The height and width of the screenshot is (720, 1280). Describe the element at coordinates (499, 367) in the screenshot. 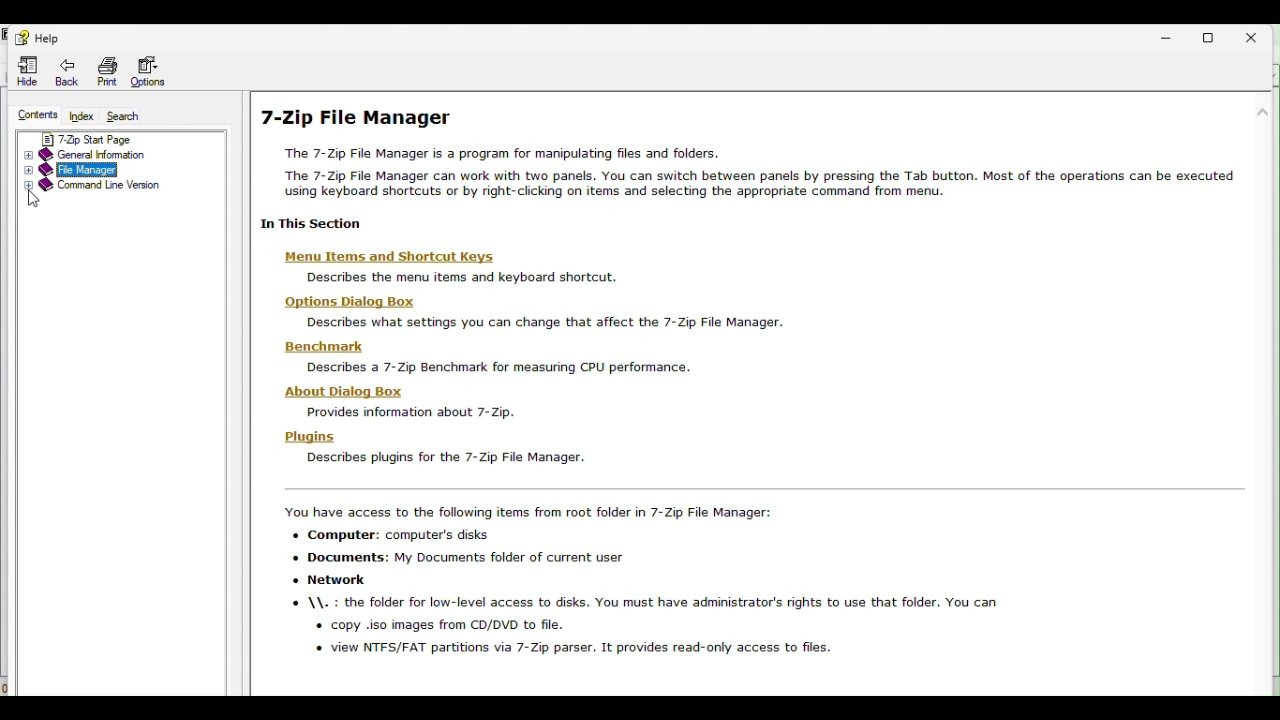

I see `Describes a 7-Zip Benchmark for measunng CPU performance.` at that location.